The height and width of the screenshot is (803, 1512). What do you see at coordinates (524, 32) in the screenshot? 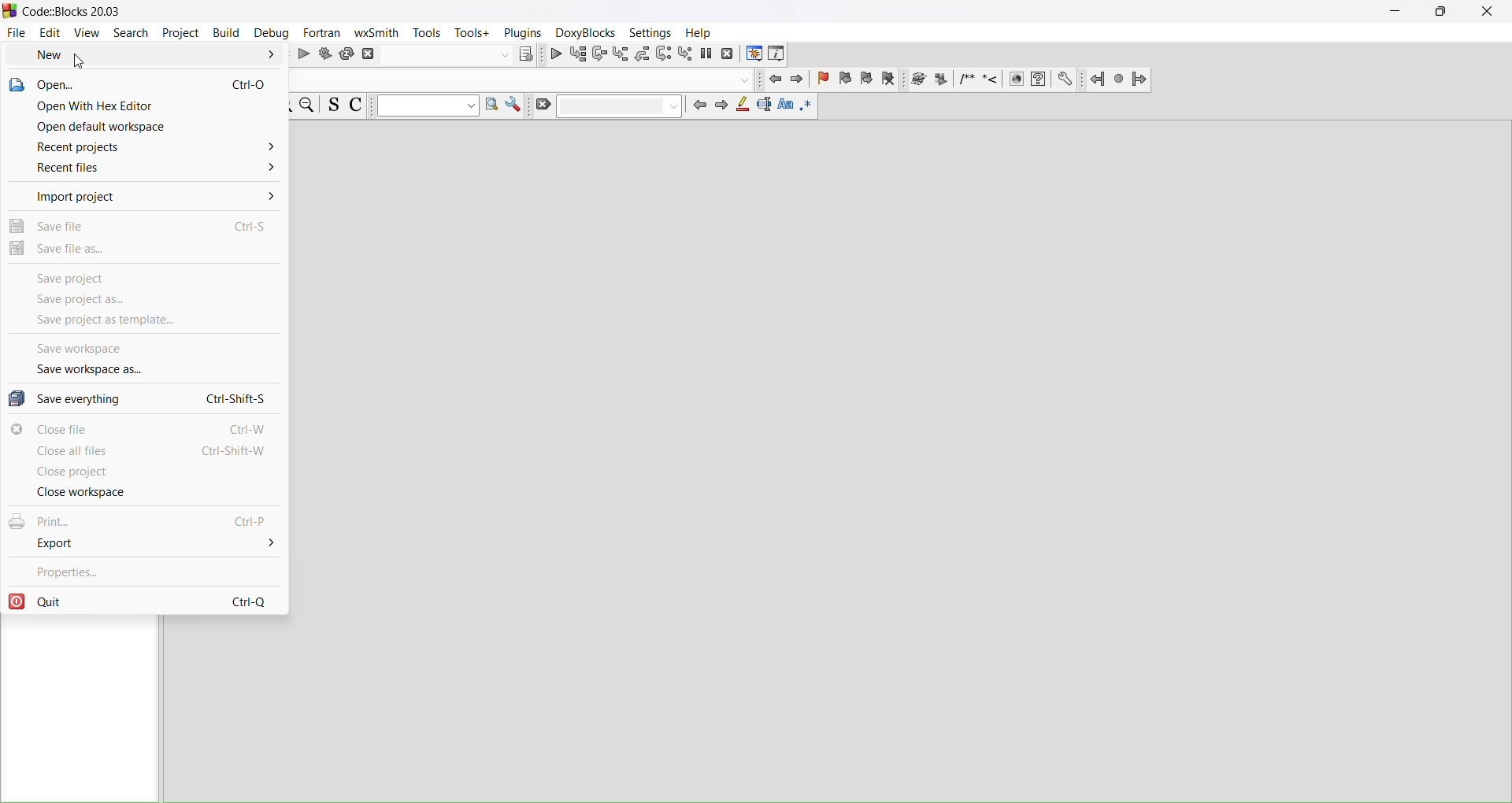
I see `plugins` at bounding box center [524, 32].